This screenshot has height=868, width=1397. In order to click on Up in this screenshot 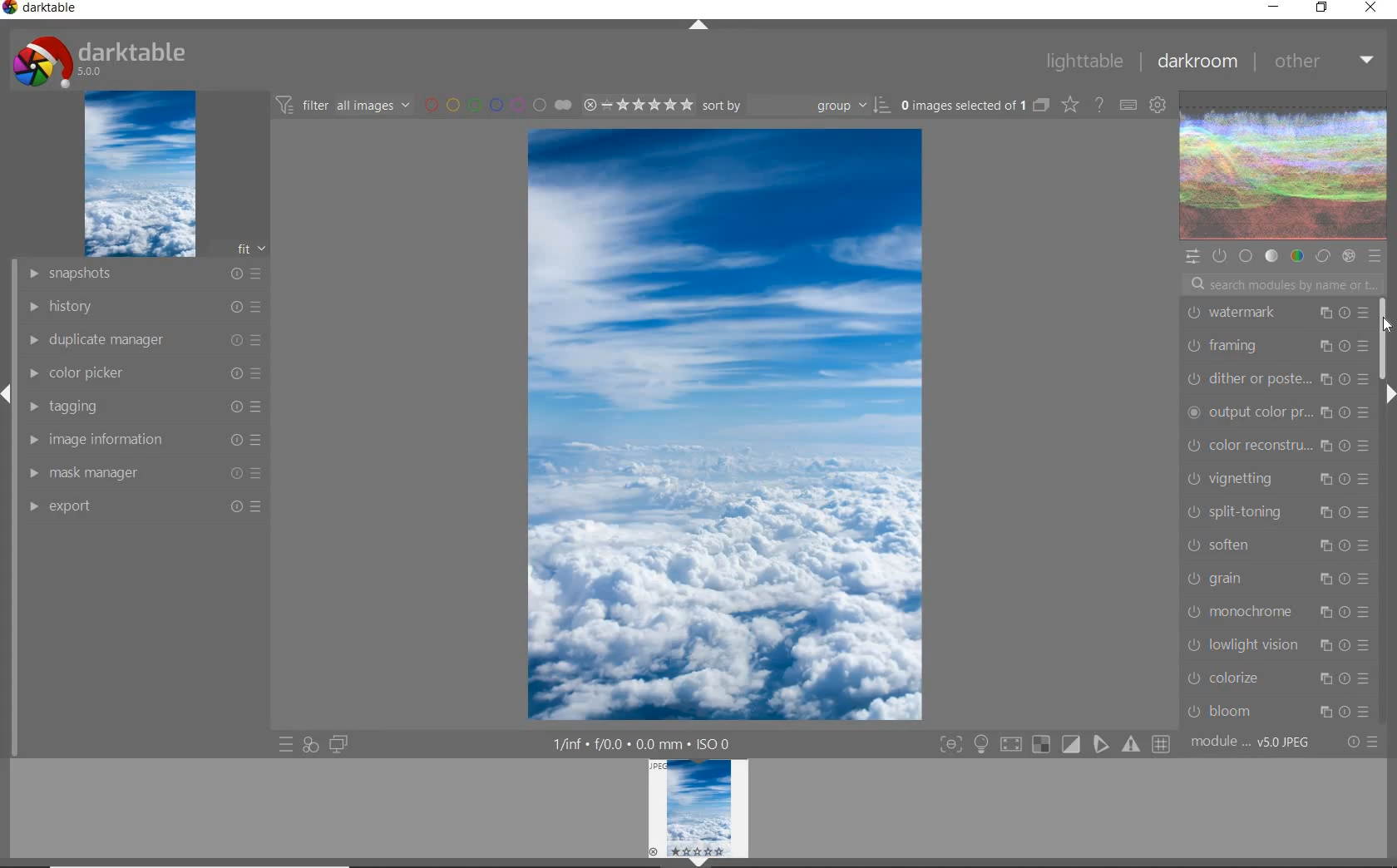, I will do `click(698, 27)`.